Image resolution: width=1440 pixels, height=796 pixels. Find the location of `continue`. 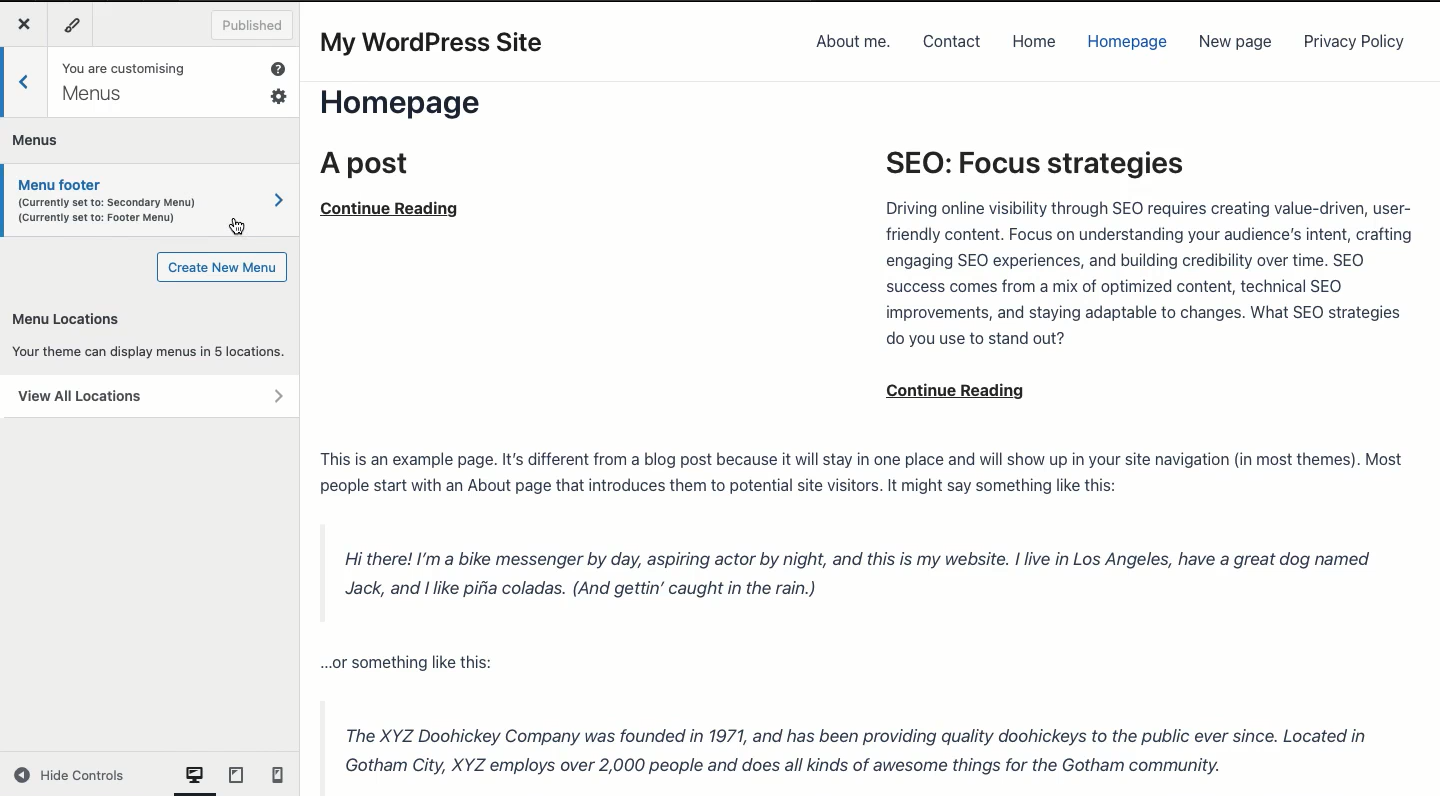

continue is located at coordinates (961, 390).